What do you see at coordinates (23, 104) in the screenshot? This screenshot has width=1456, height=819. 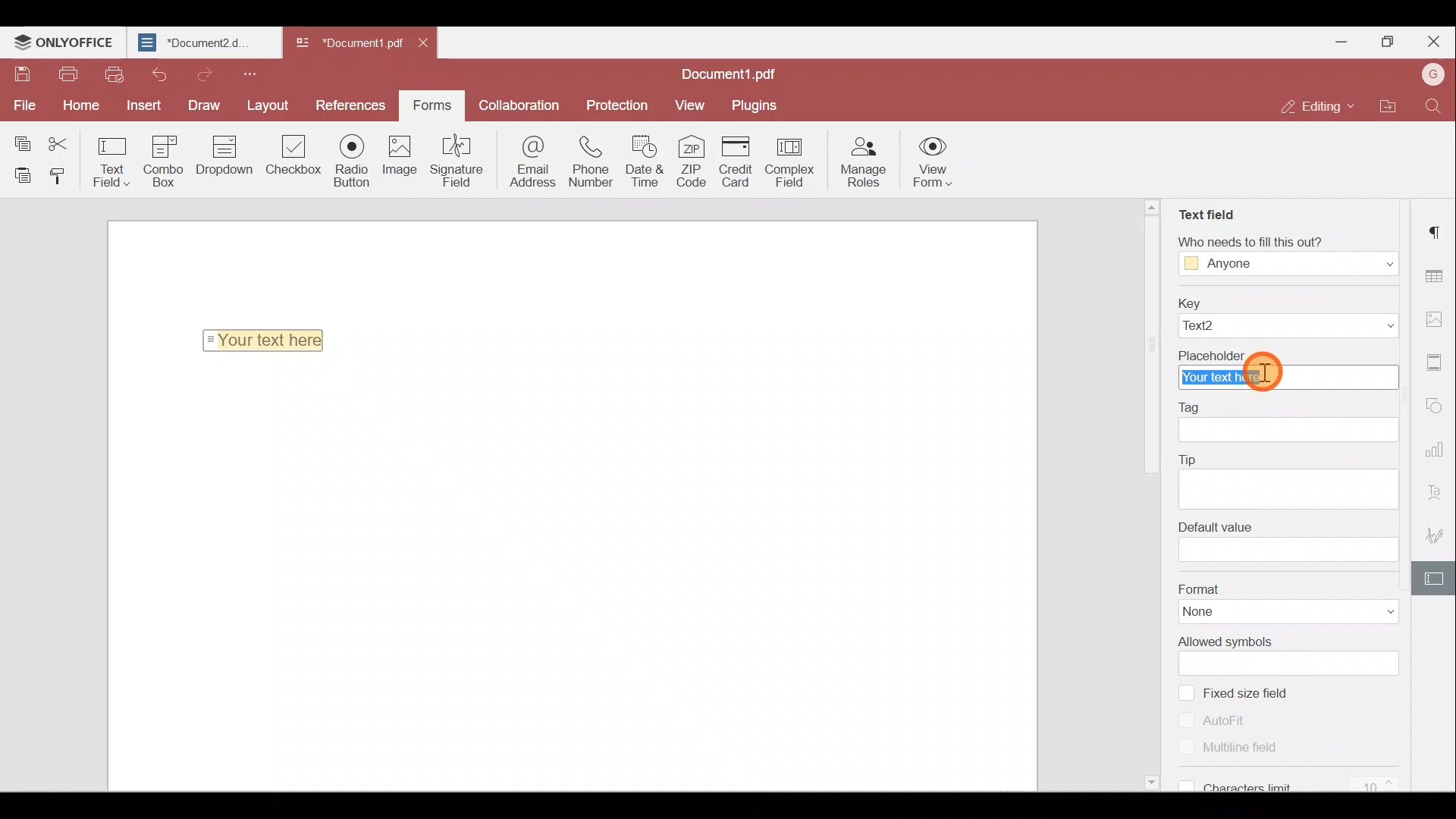 I see `File` at bounding box center [23, 104].